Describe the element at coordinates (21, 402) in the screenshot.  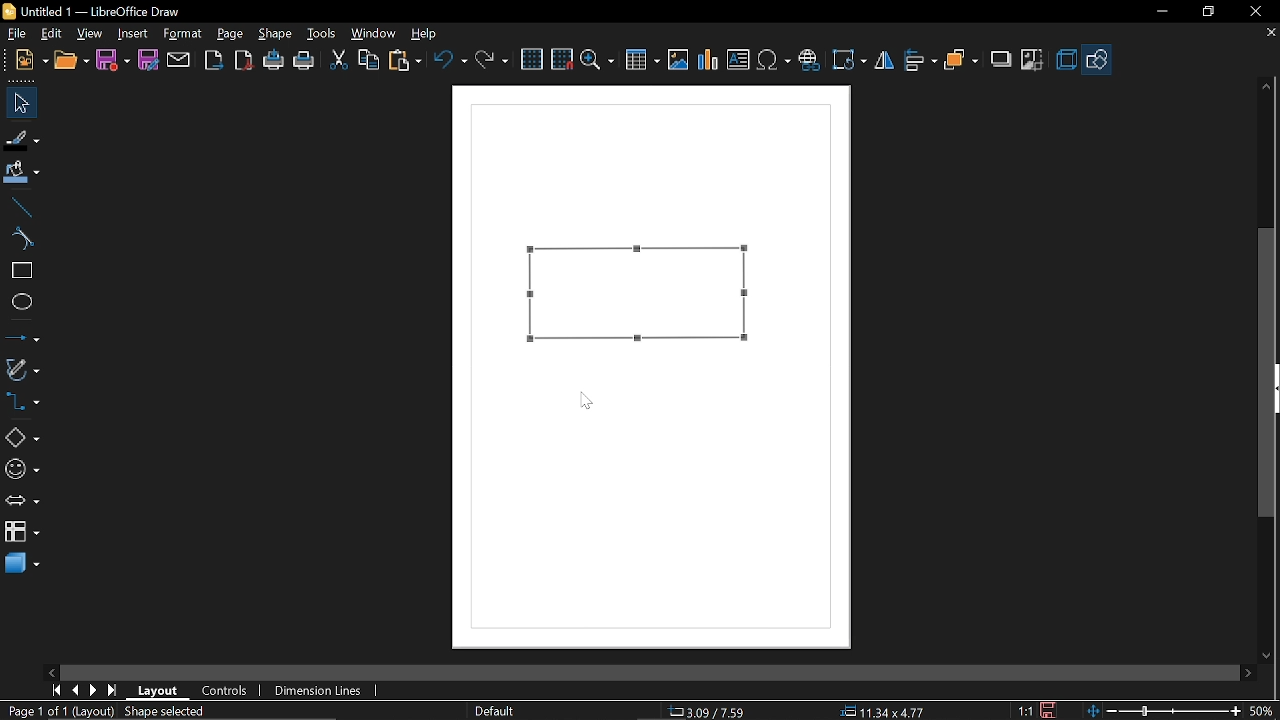
I see `connector` at that location.